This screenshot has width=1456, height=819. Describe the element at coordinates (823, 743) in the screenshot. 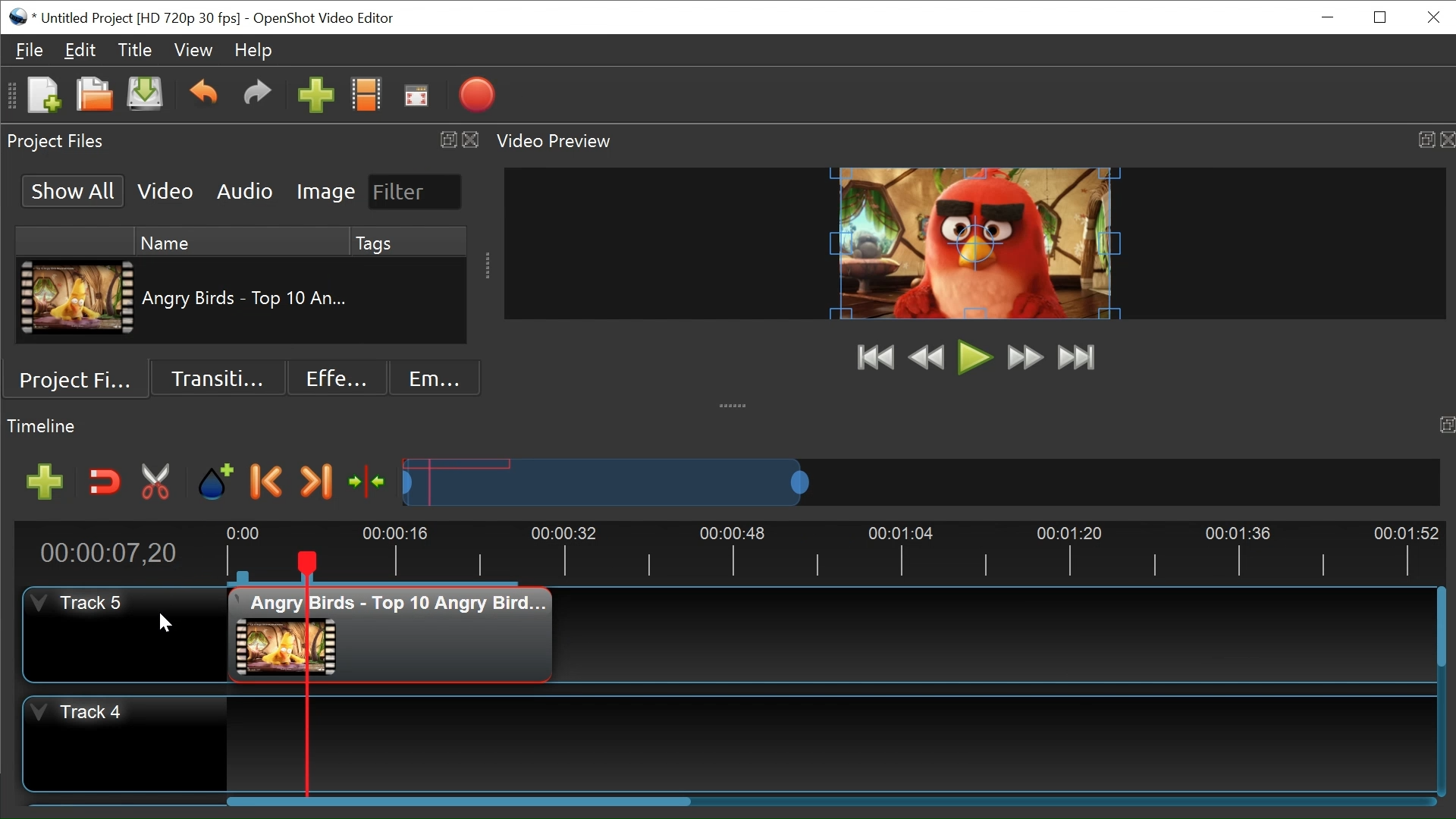

I see `Track Panel` at that location.